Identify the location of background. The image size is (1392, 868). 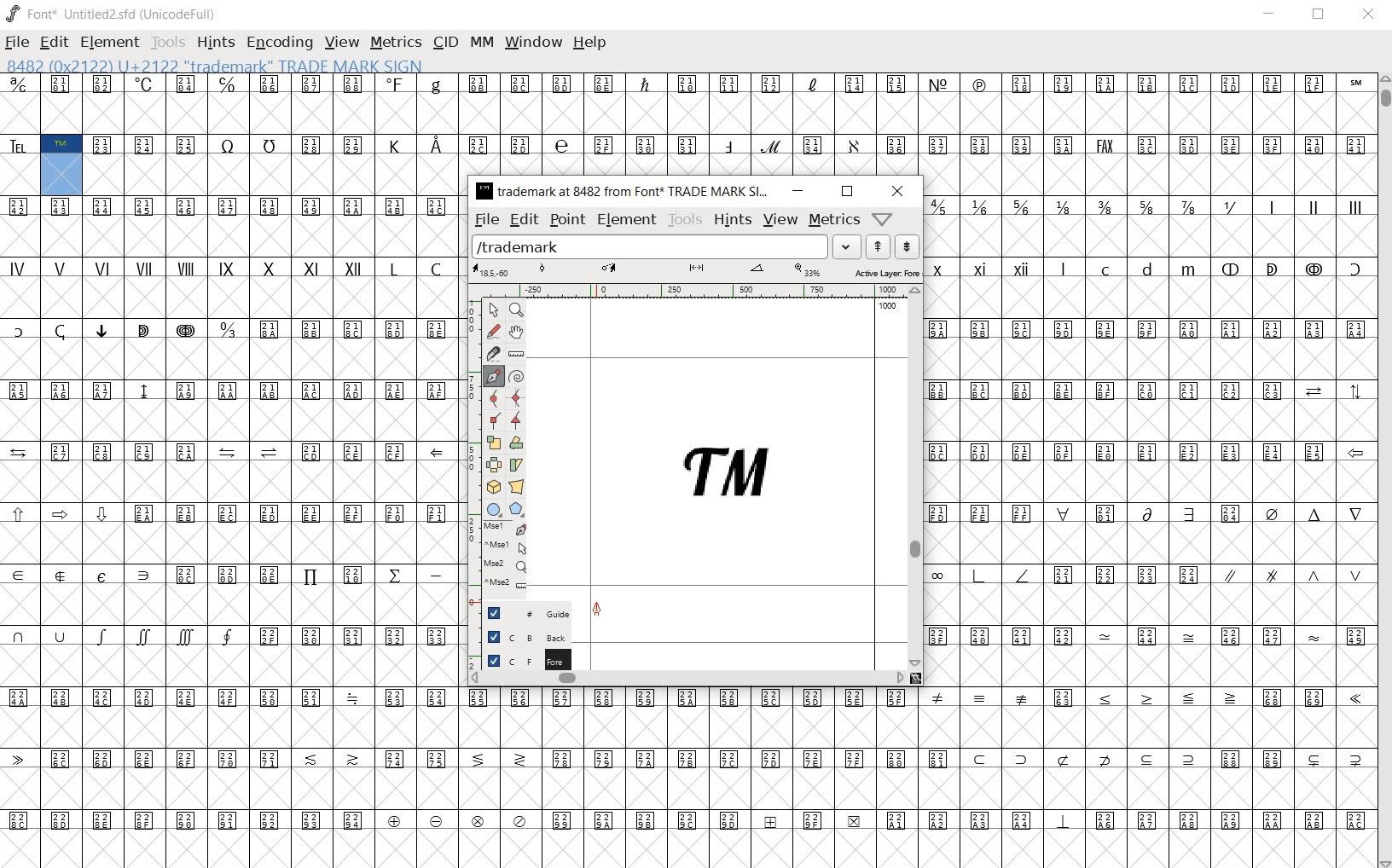
(521, 634).